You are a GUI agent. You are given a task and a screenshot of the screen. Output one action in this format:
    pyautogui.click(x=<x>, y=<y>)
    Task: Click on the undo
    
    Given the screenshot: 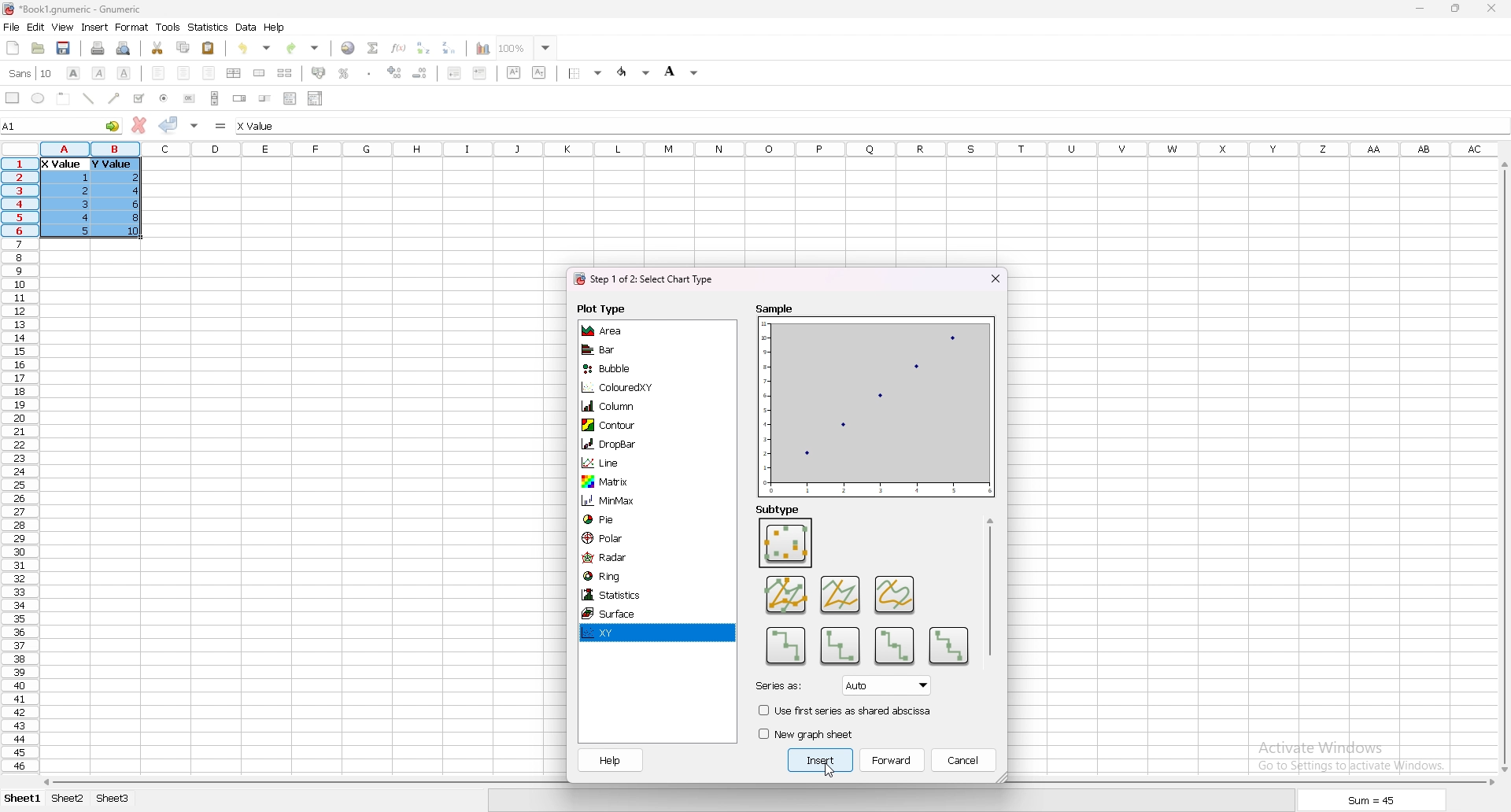 What is the action you would take?
    pyautogui.click(x=254, y=48)
    